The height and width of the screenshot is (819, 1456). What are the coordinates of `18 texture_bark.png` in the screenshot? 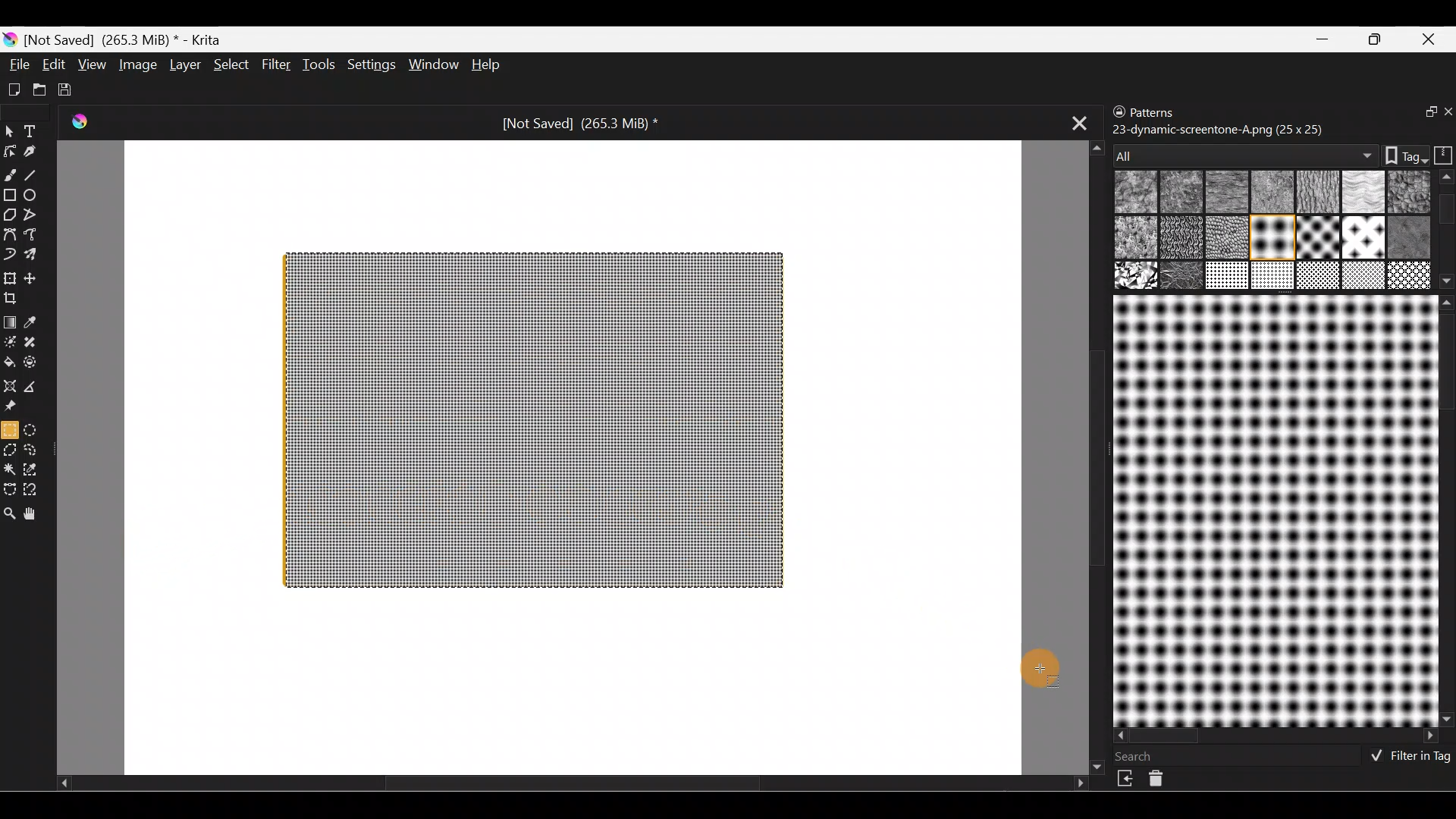 It's located at (1316, 277).